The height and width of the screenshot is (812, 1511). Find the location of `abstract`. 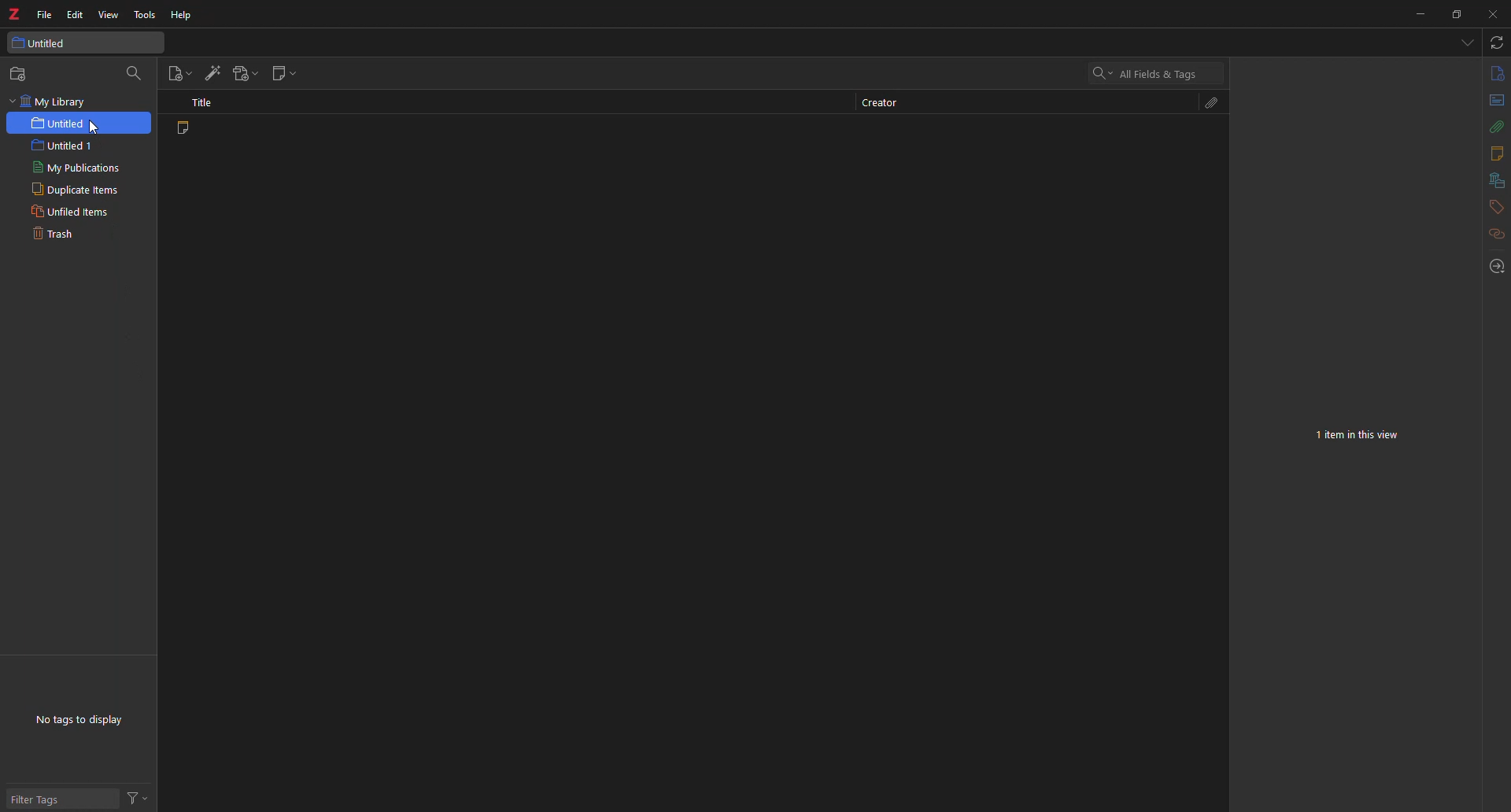

abstract is located at coordinates (1495, 101).